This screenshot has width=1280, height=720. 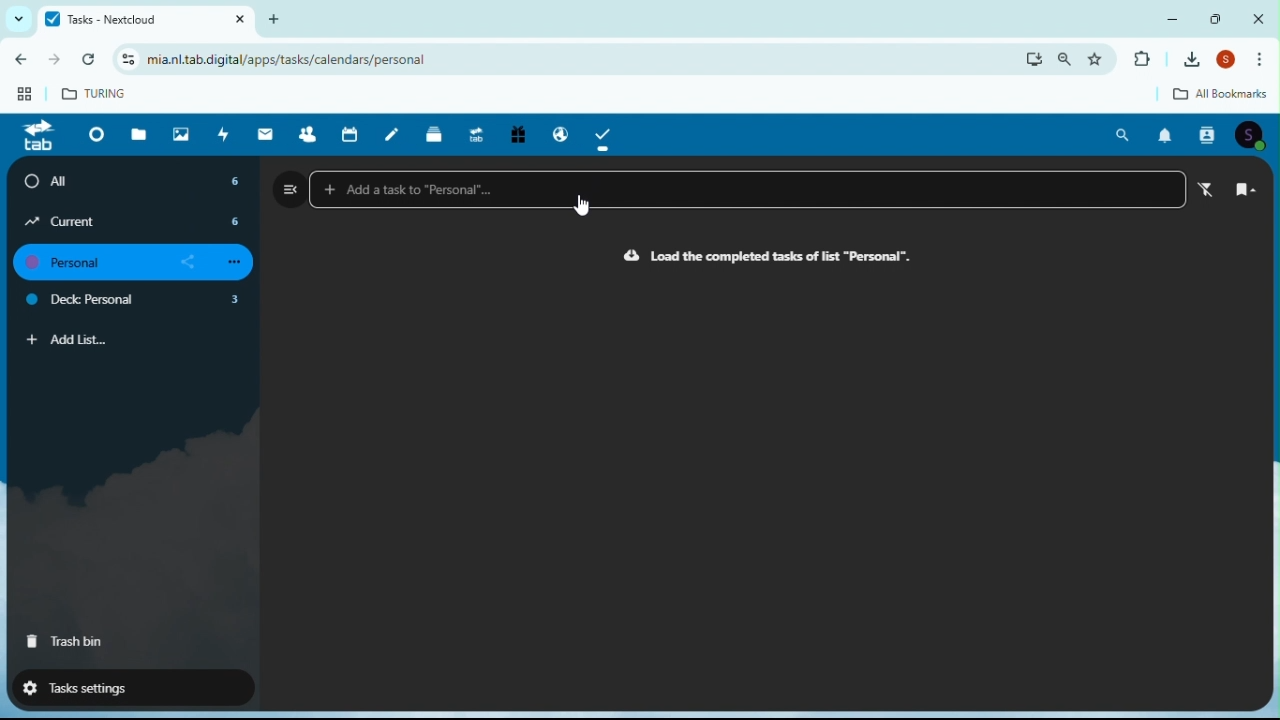 I want to click on Add a task to "Personal"..., so click(x=747, y=190).